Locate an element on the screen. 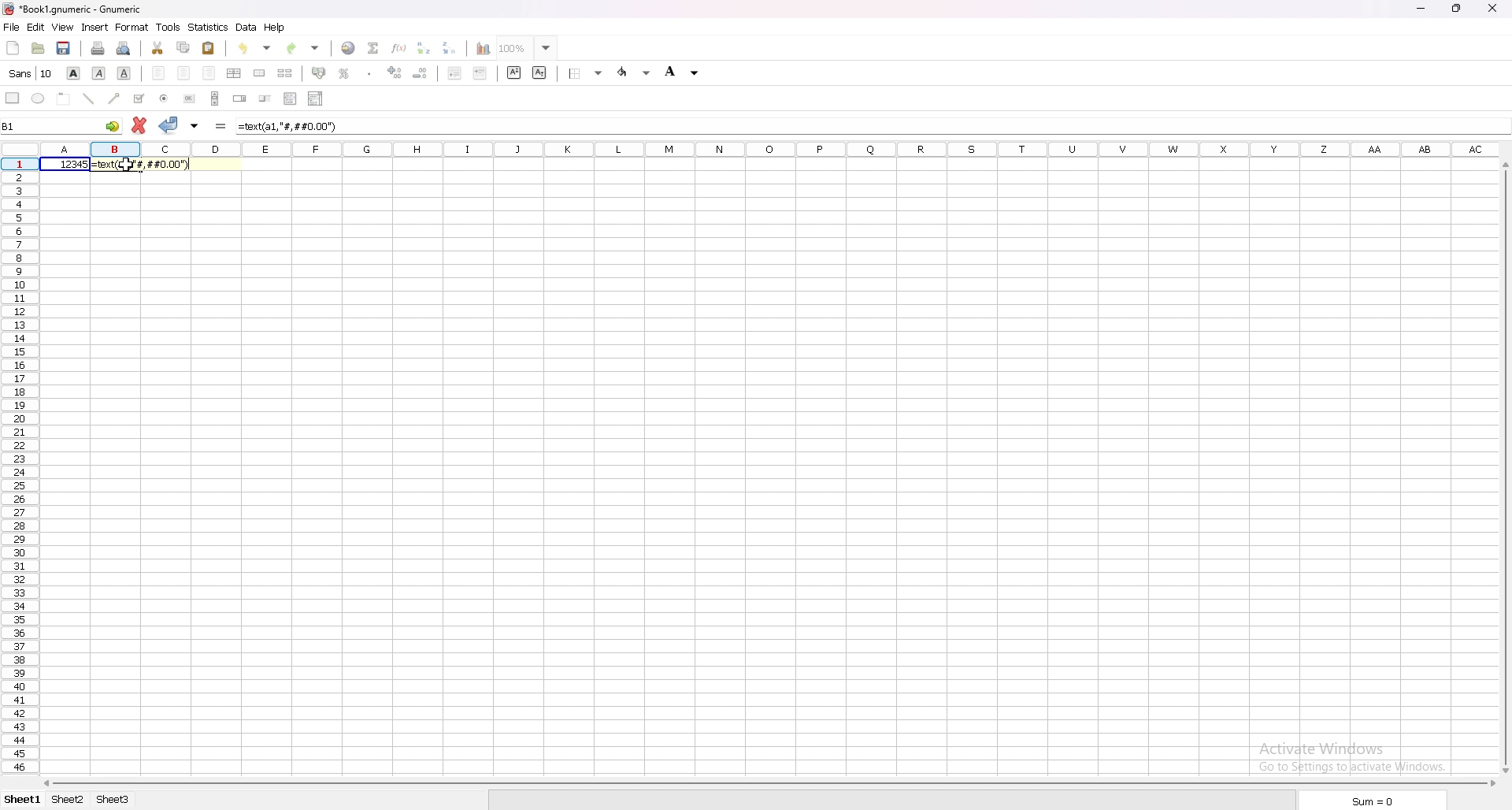 This screenshot has height=810, width=1512. copy is located at coordinates (183, 48).